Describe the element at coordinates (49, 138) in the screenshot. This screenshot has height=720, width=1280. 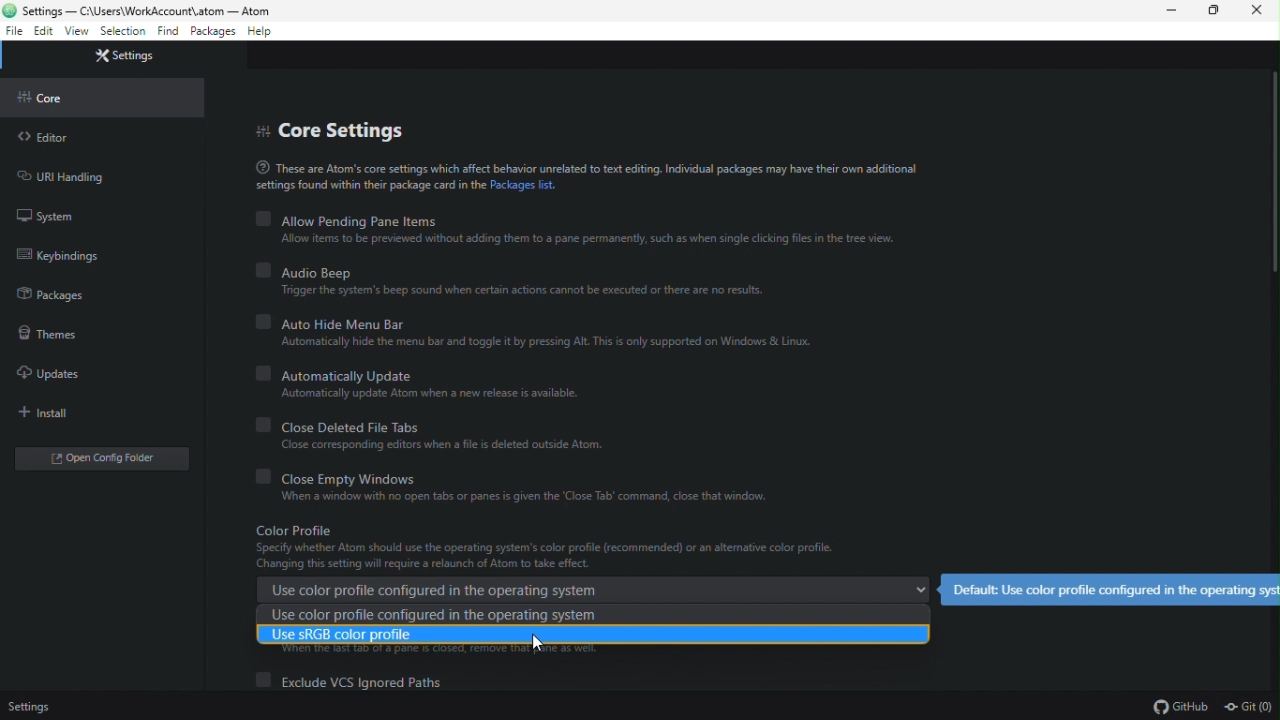
I see `editor` at that location.